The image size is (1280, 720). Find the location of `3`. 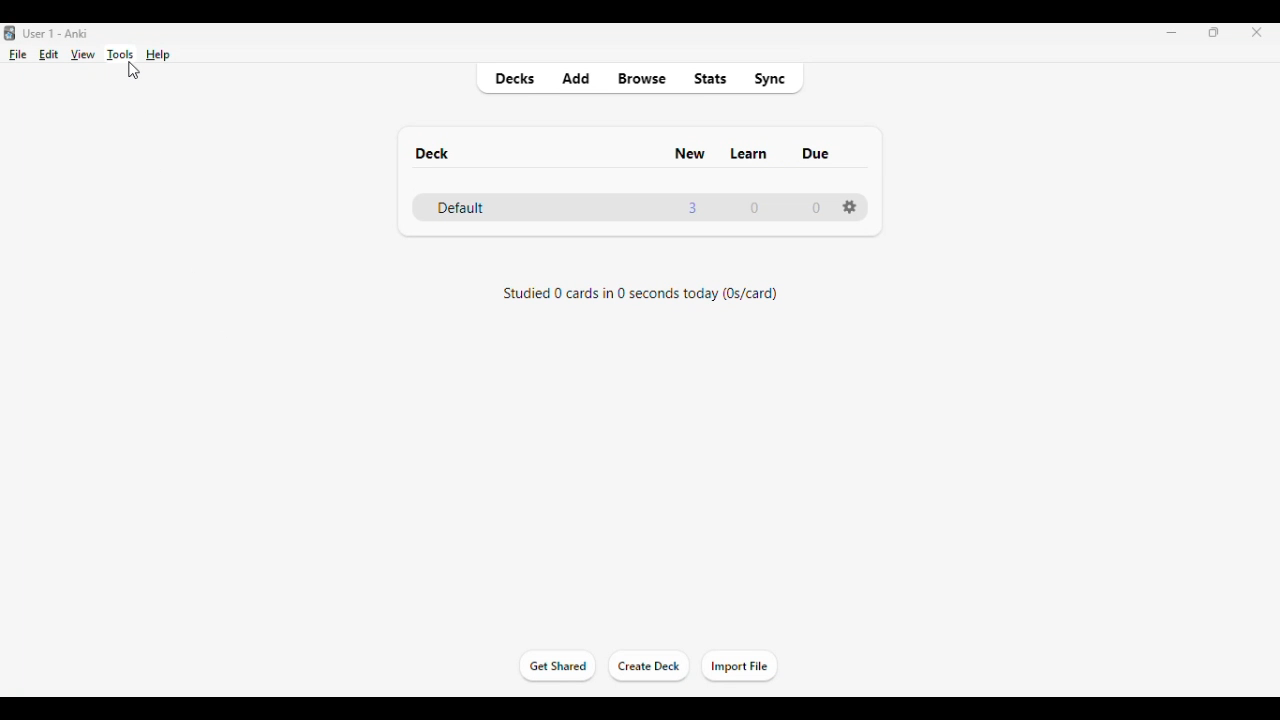

3 is located at coordinates (692, 208).